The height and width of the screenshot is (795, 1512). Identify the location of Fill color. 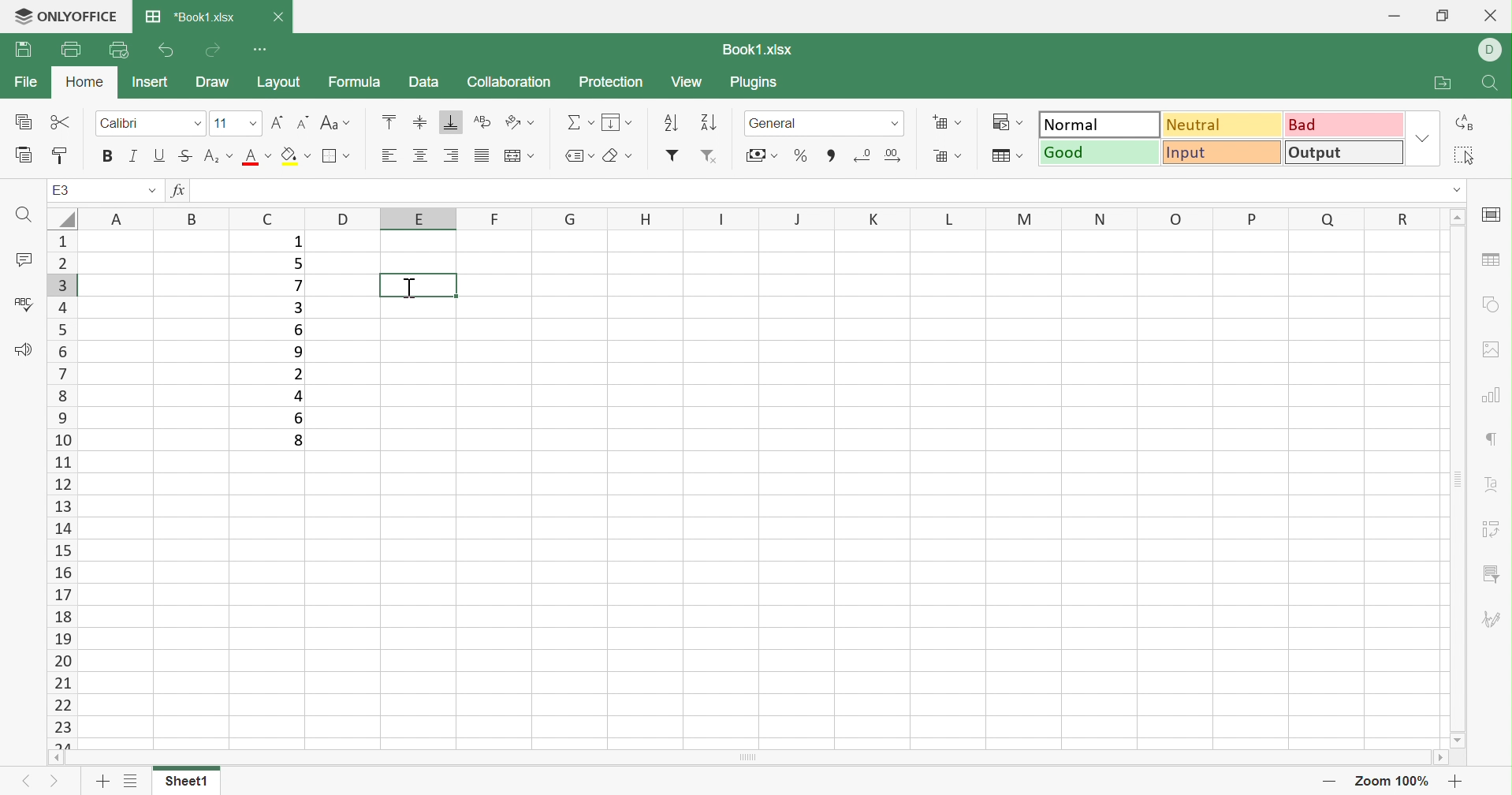
(296, 155).